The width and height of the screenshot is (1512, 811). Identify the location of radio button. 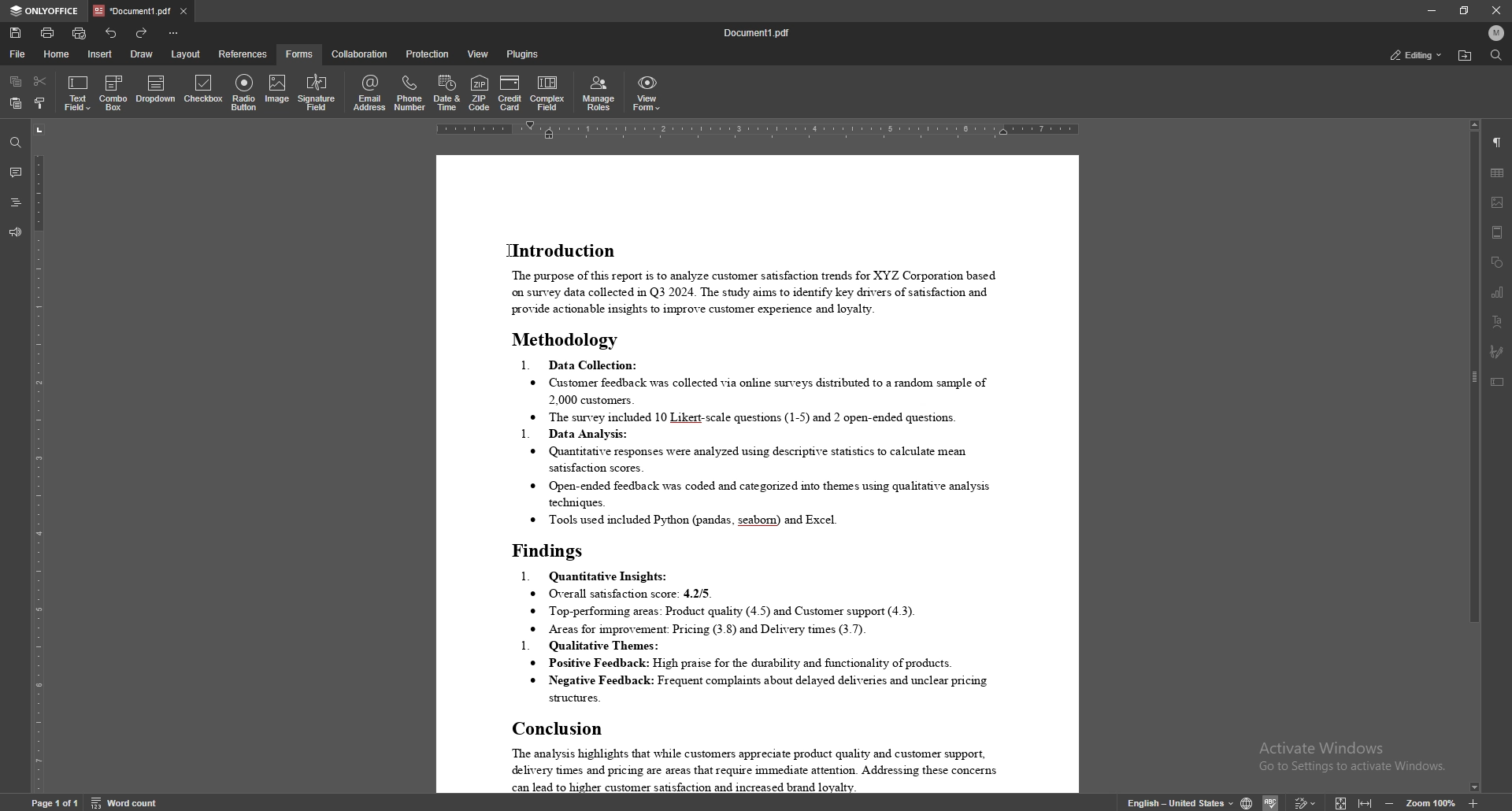
(245, 93).